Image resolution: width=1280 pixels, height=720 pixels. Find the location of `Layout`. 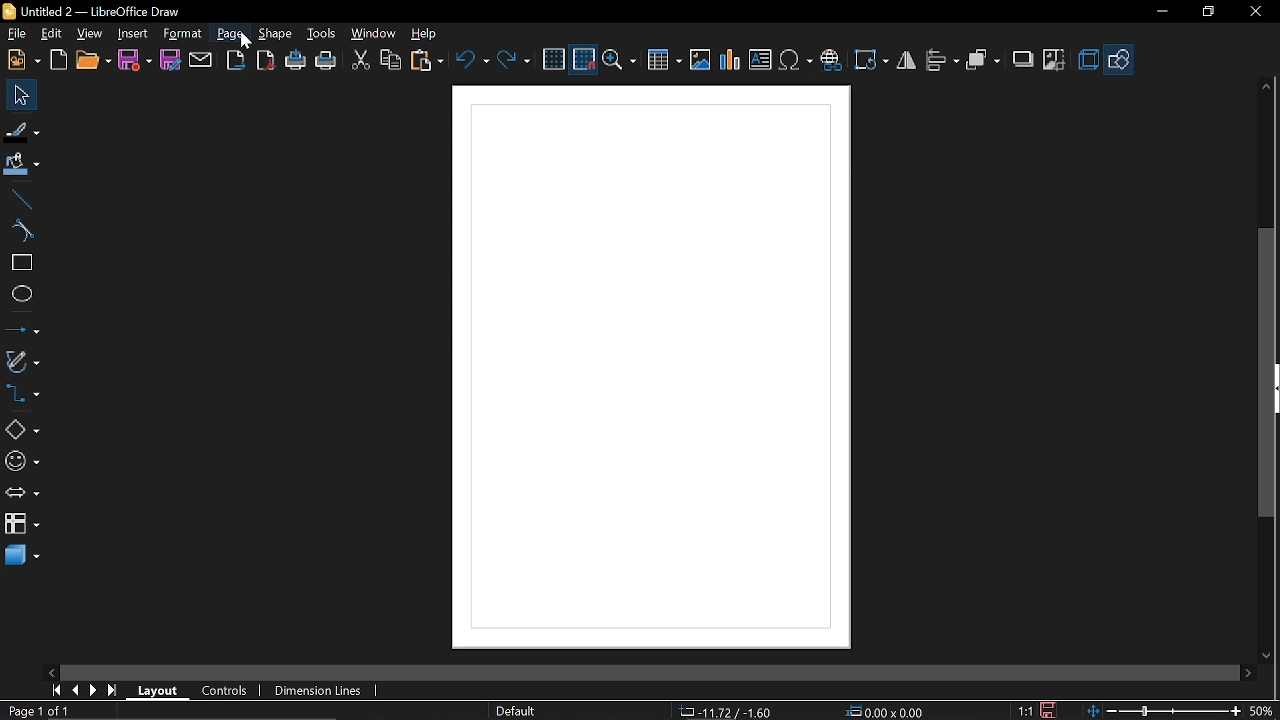

Layout is located at coordinates (158, 689).